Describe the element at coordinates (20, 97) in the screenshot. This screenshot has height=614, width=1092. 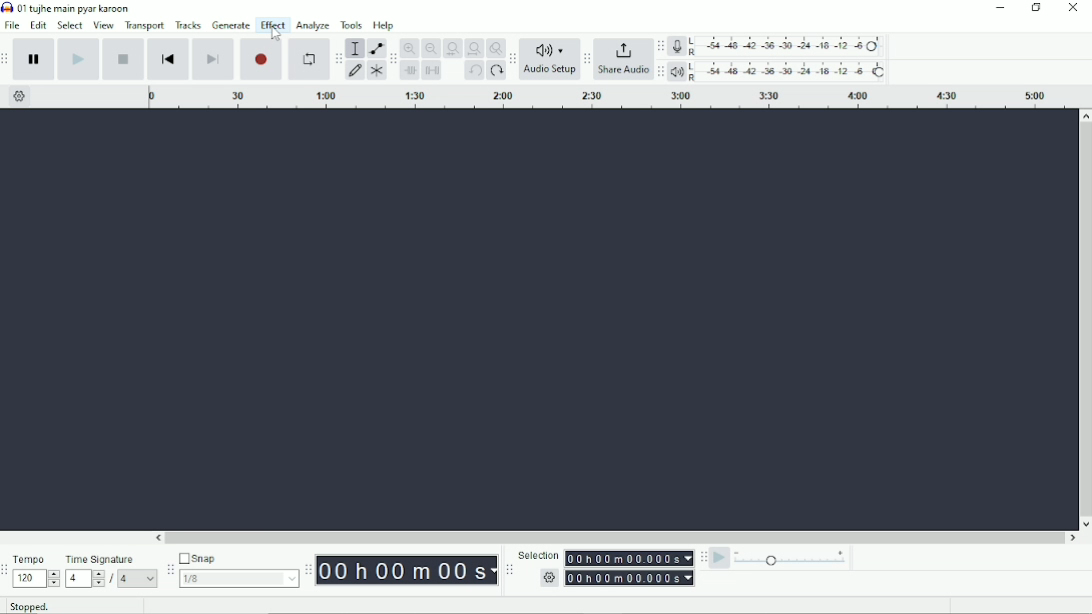
I see `Timeline options` at that location.